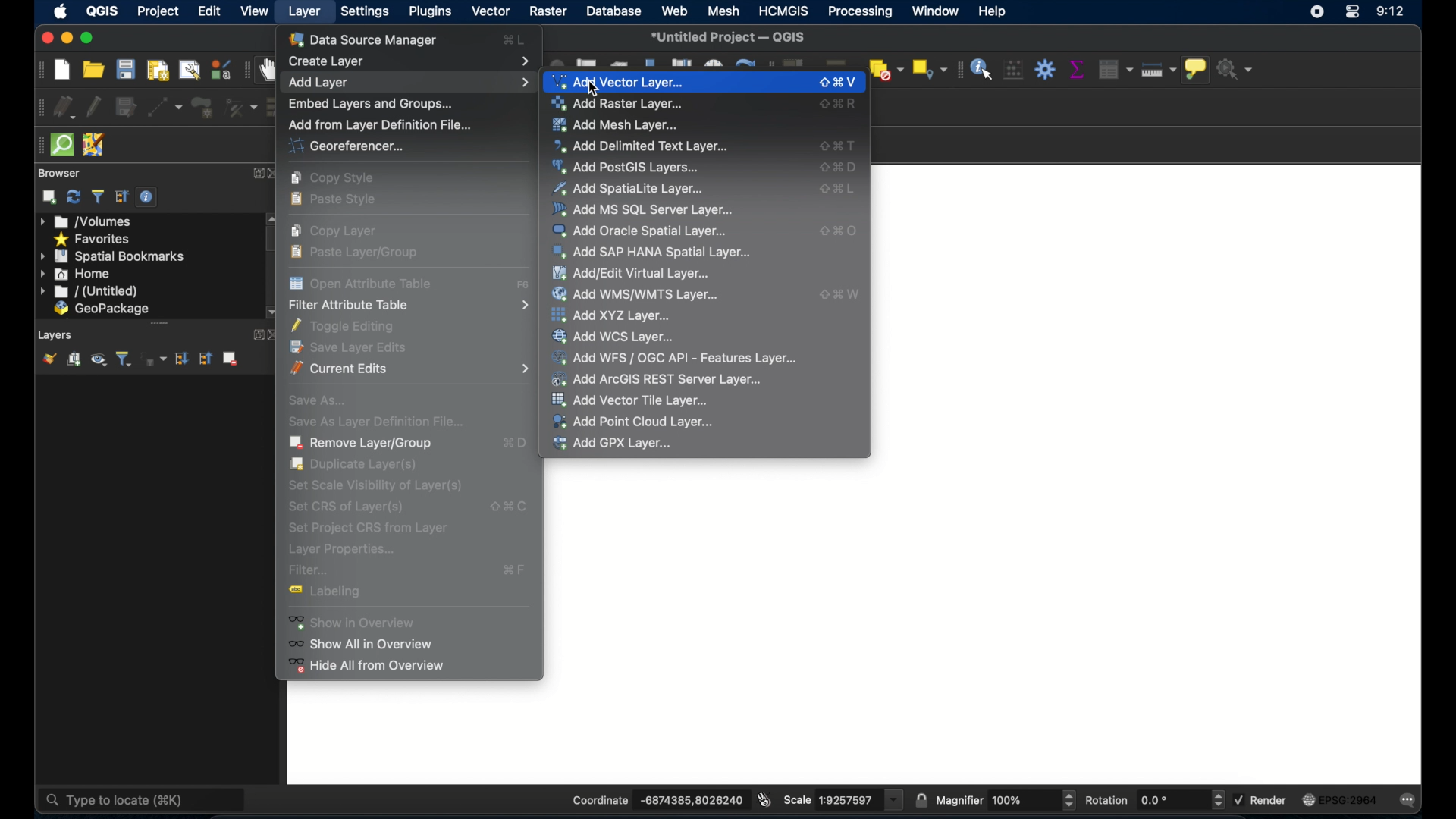 This screenshot has width=1456, height=819. I want to click on vertex tool, so click(239, 108).